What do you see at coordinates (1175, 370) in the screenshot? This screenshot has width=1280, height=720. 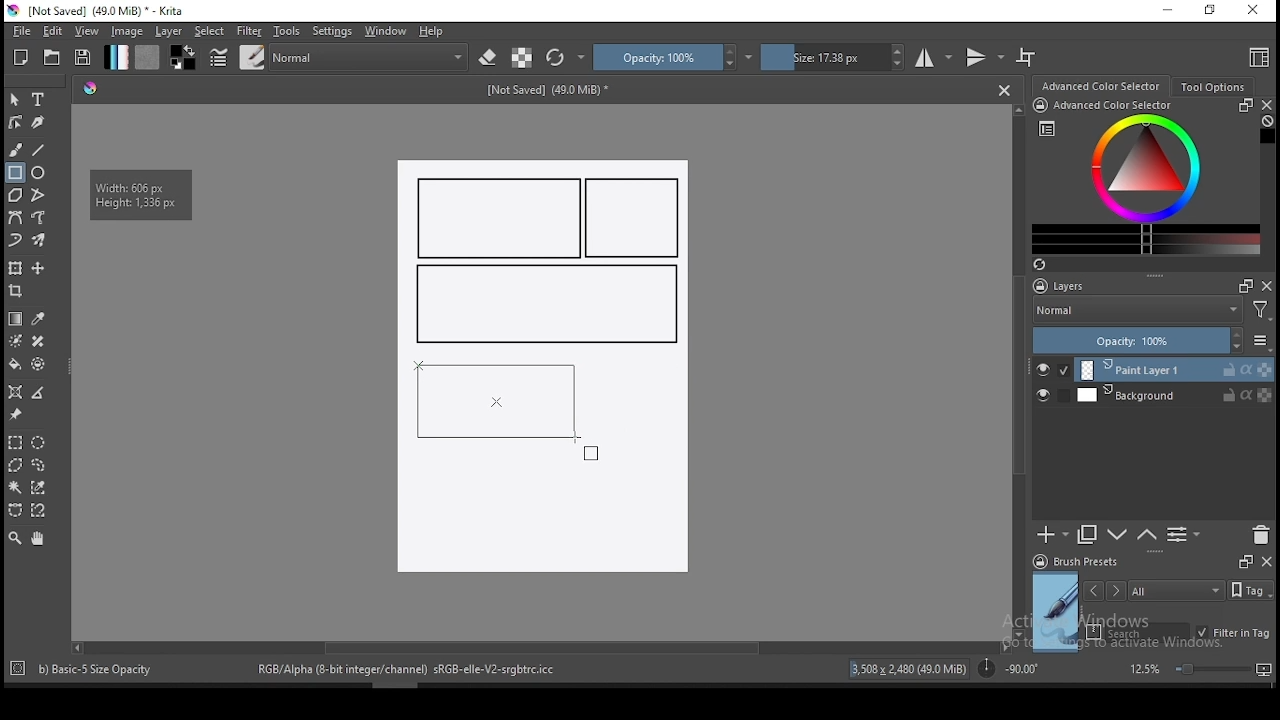 I see `layer` at bounding box center [1175, 370].